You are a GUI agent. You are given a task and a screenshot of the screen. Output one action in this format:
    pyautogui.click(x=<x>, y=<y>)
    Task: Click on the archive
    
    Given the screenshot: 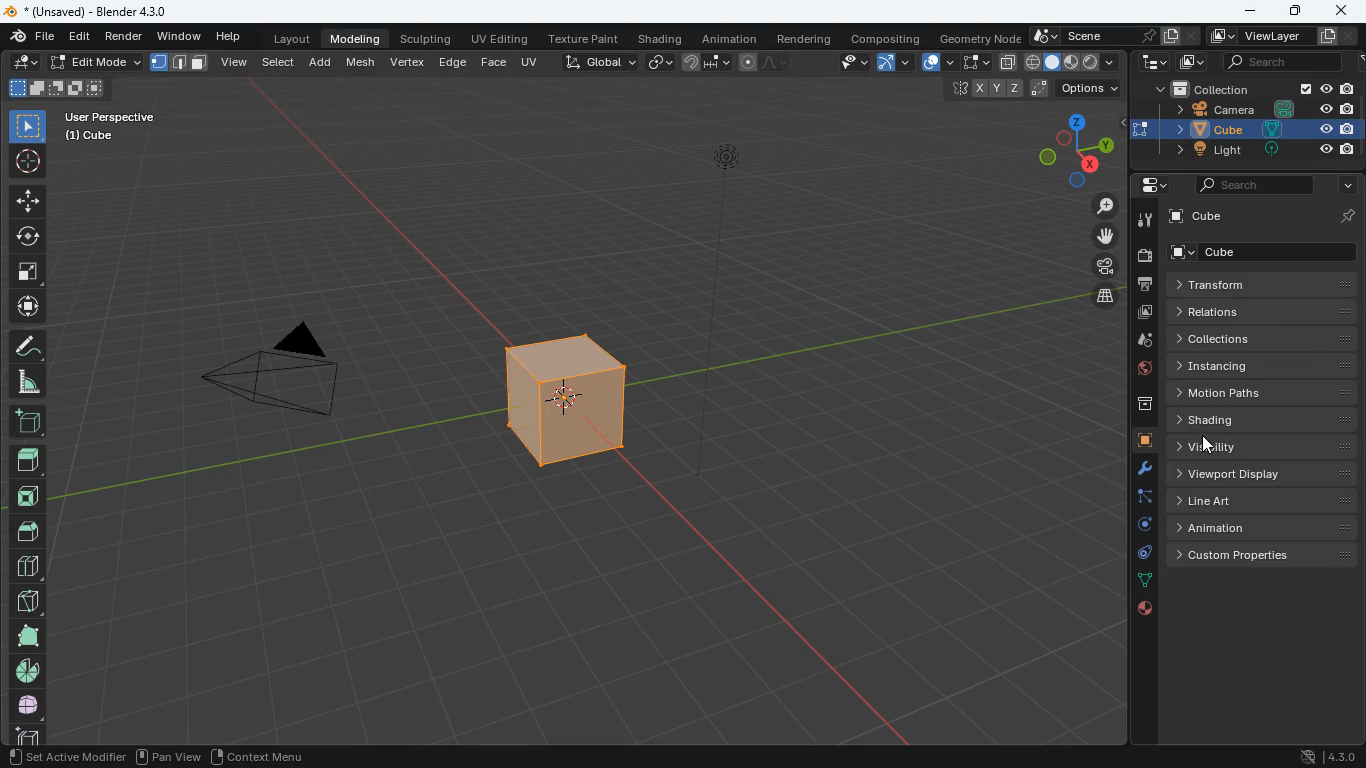 What is the action you would take?
    pyautogui.click(x=1135, y=404)
    